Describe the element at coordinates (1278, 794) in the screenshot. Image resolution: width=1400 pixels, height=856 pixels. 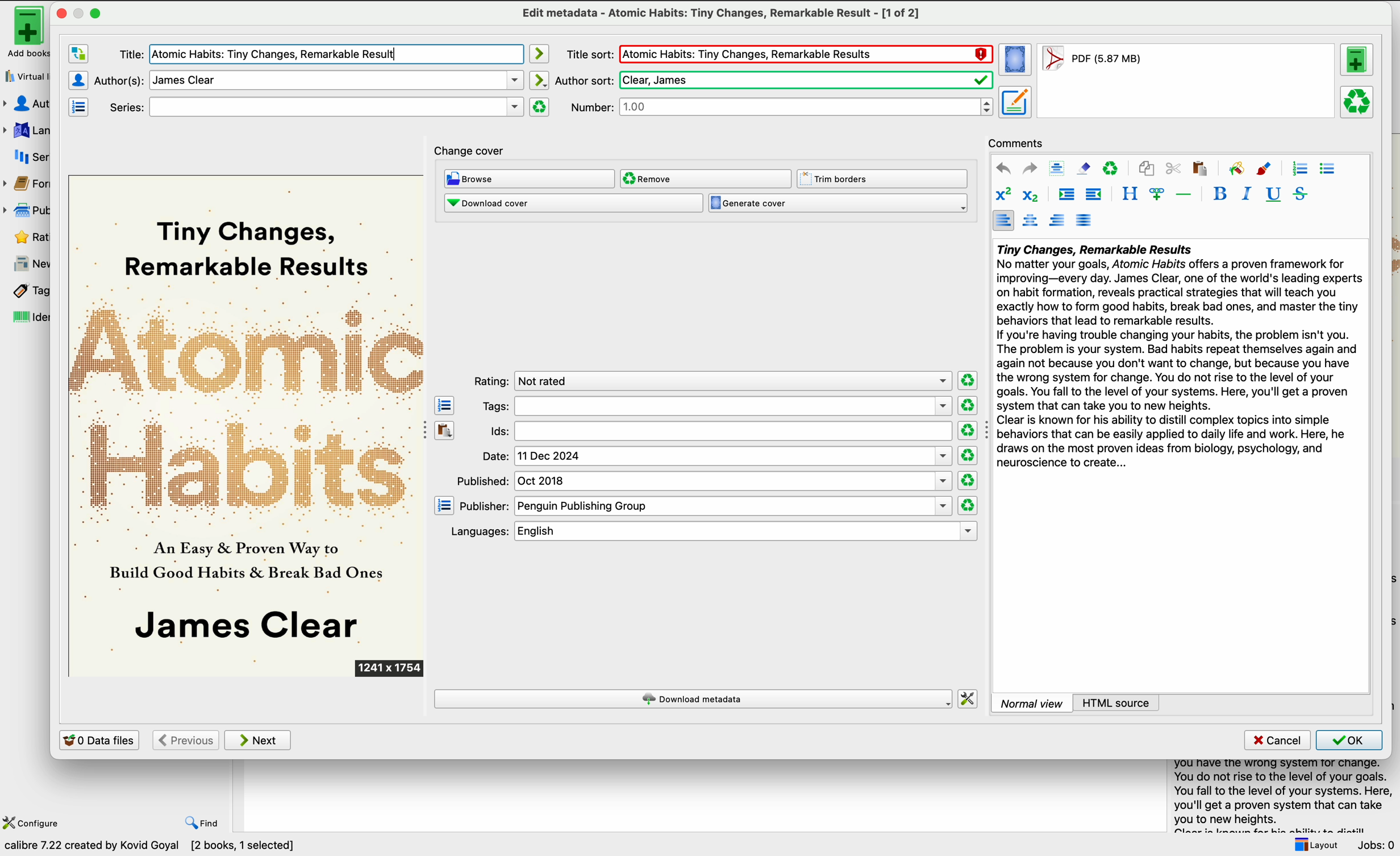
I see `summary book` at that location.